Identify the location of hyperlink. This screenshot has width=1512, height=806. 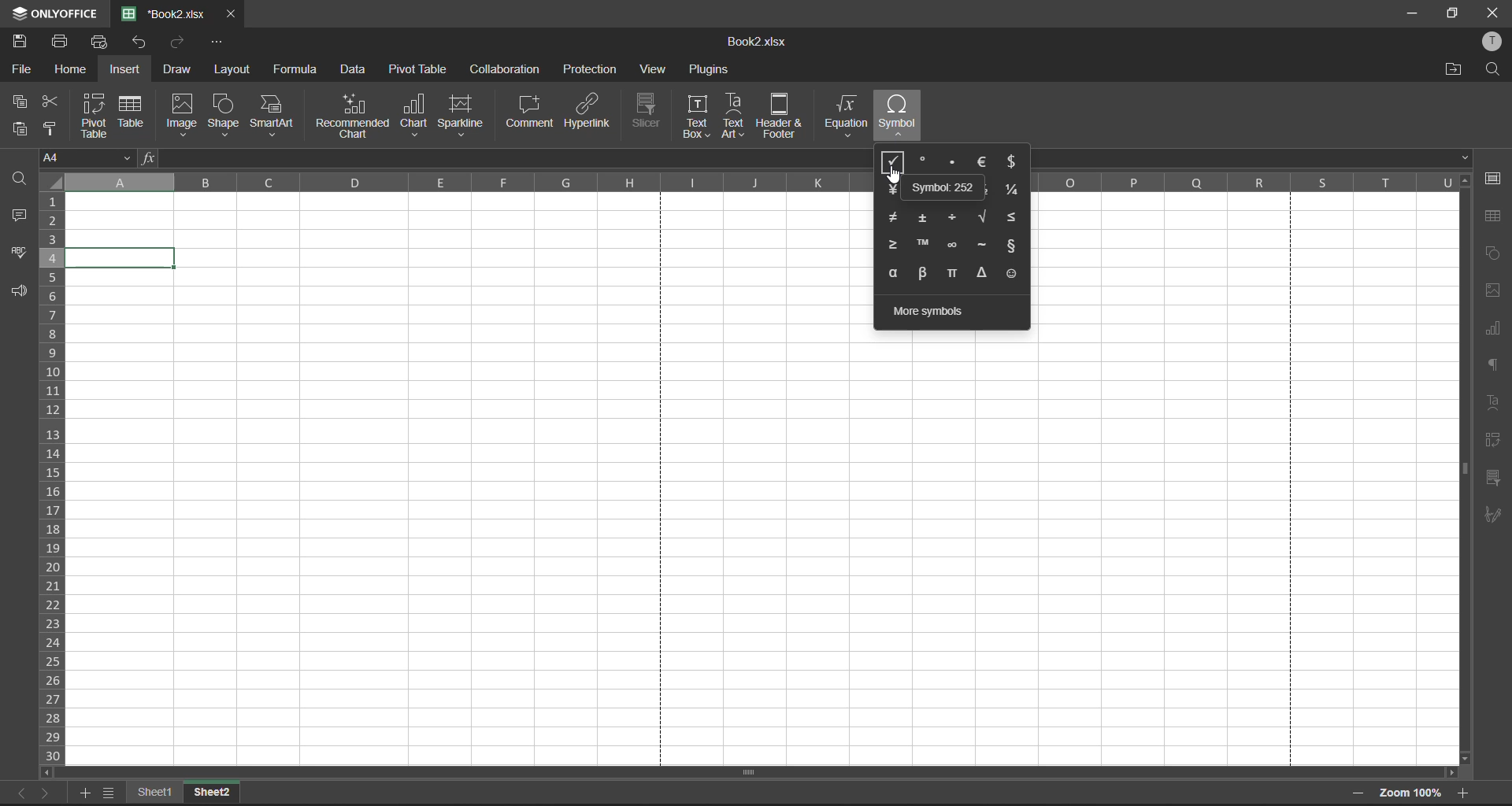
(589, 113).